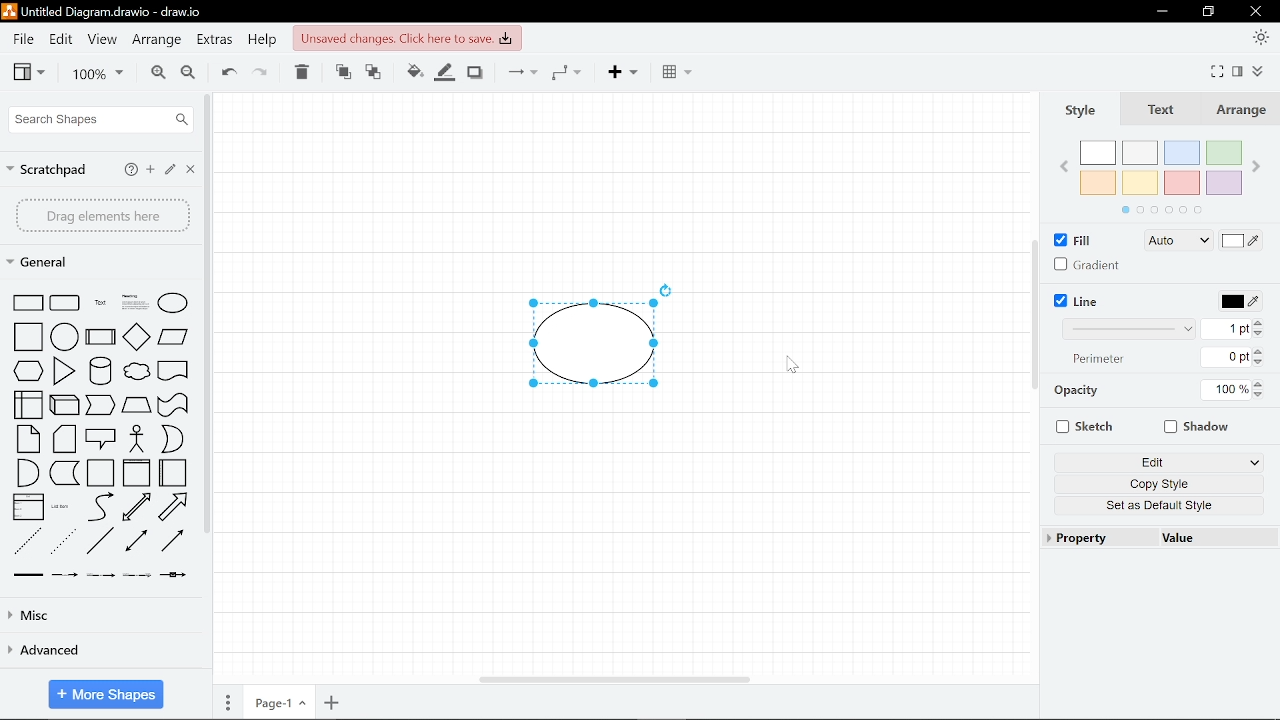  I want to click on Format, so click(1237, 72).